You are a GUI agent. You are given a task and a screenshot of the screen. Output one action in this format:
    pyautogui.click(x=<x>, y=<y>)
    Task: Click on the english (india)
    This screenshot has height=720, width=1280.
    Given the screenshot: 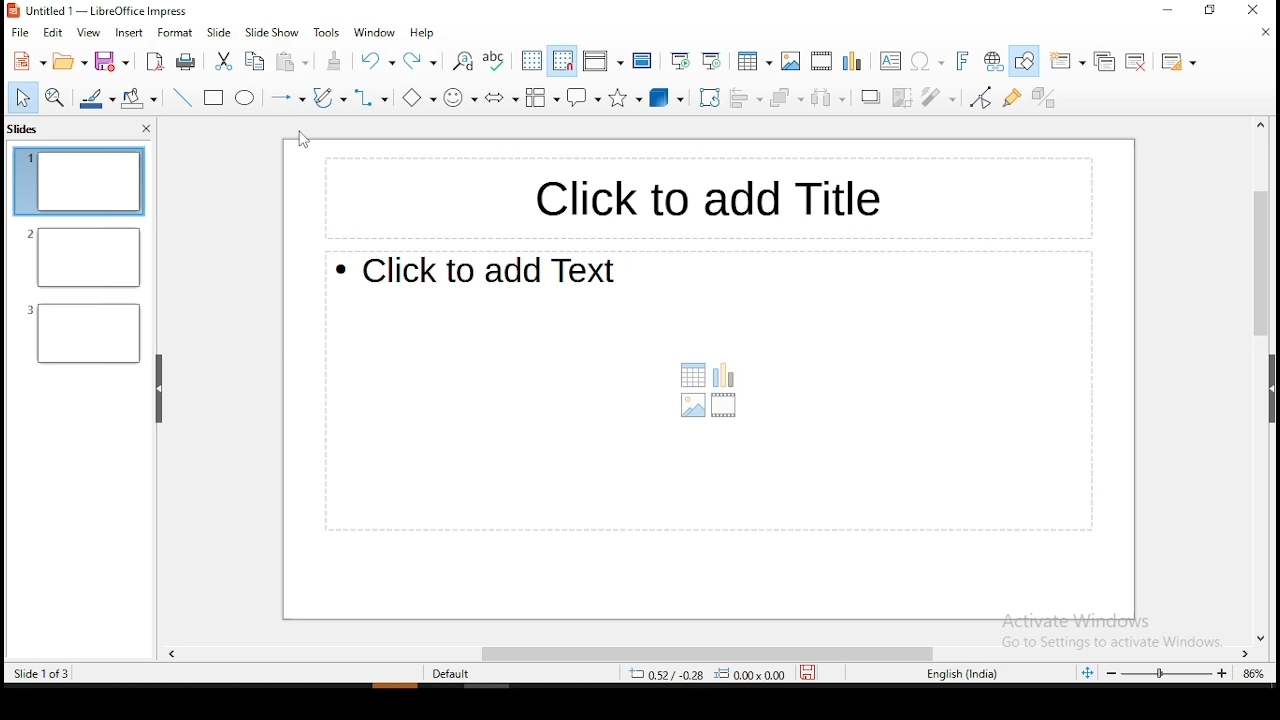 What is the action you would take?
    pyautogui.click(x=959, y=674)
    